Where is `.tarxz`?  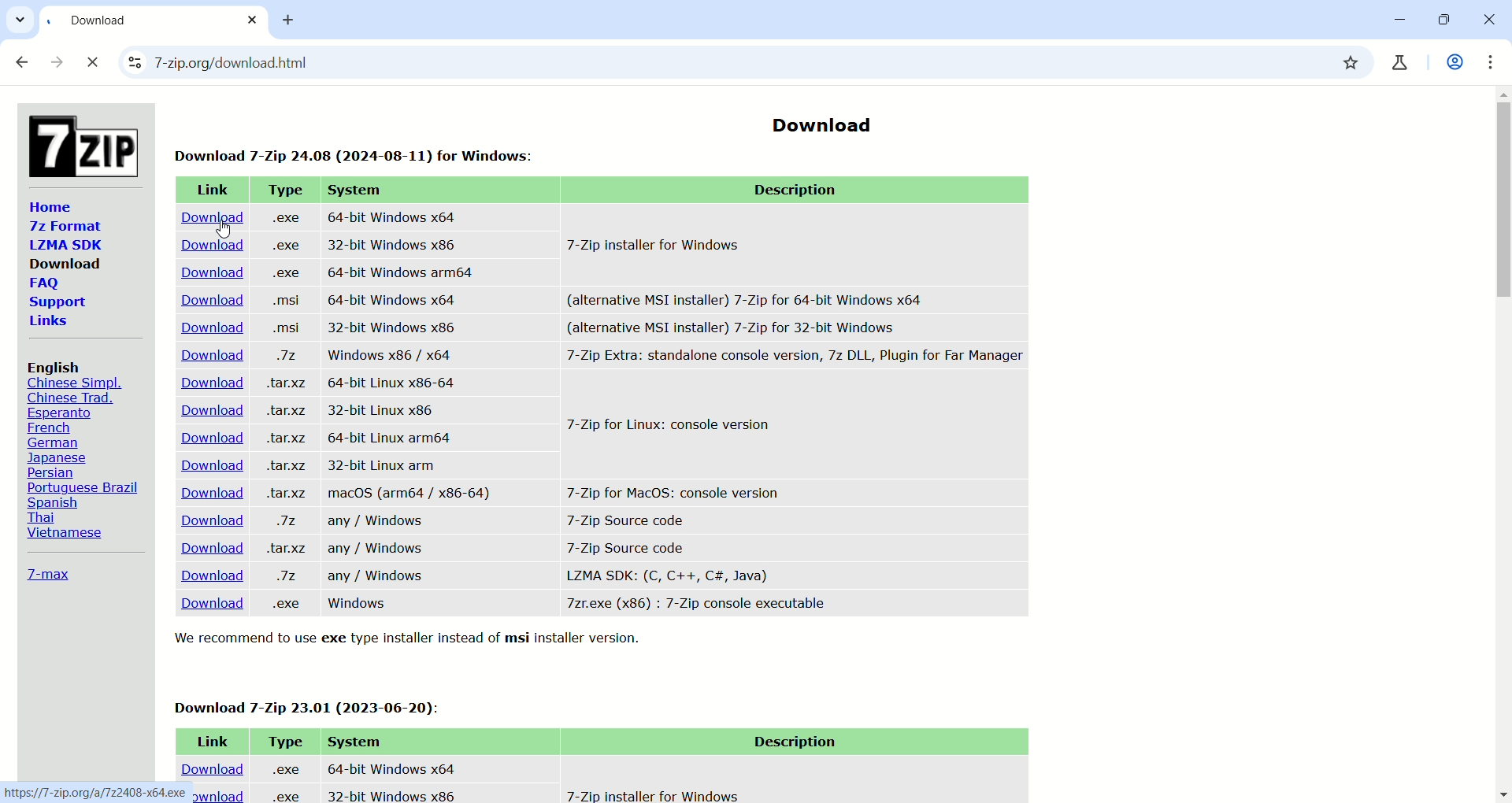 .tarxz is located at coordinates (287, 494).